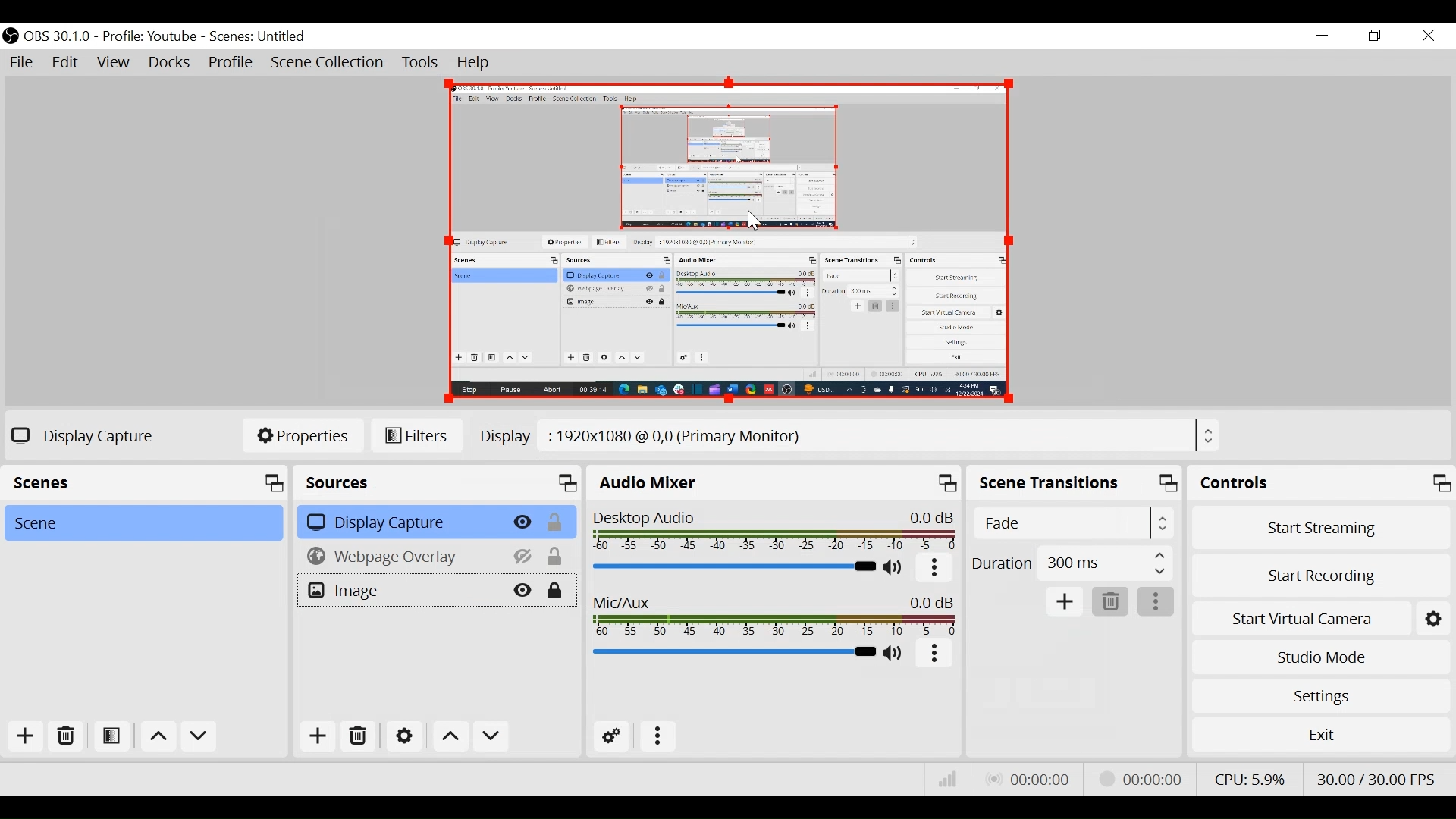 Image resolution: width=1456 pixels, height=819 pixels. I want to click on Add, so click(27, 738).